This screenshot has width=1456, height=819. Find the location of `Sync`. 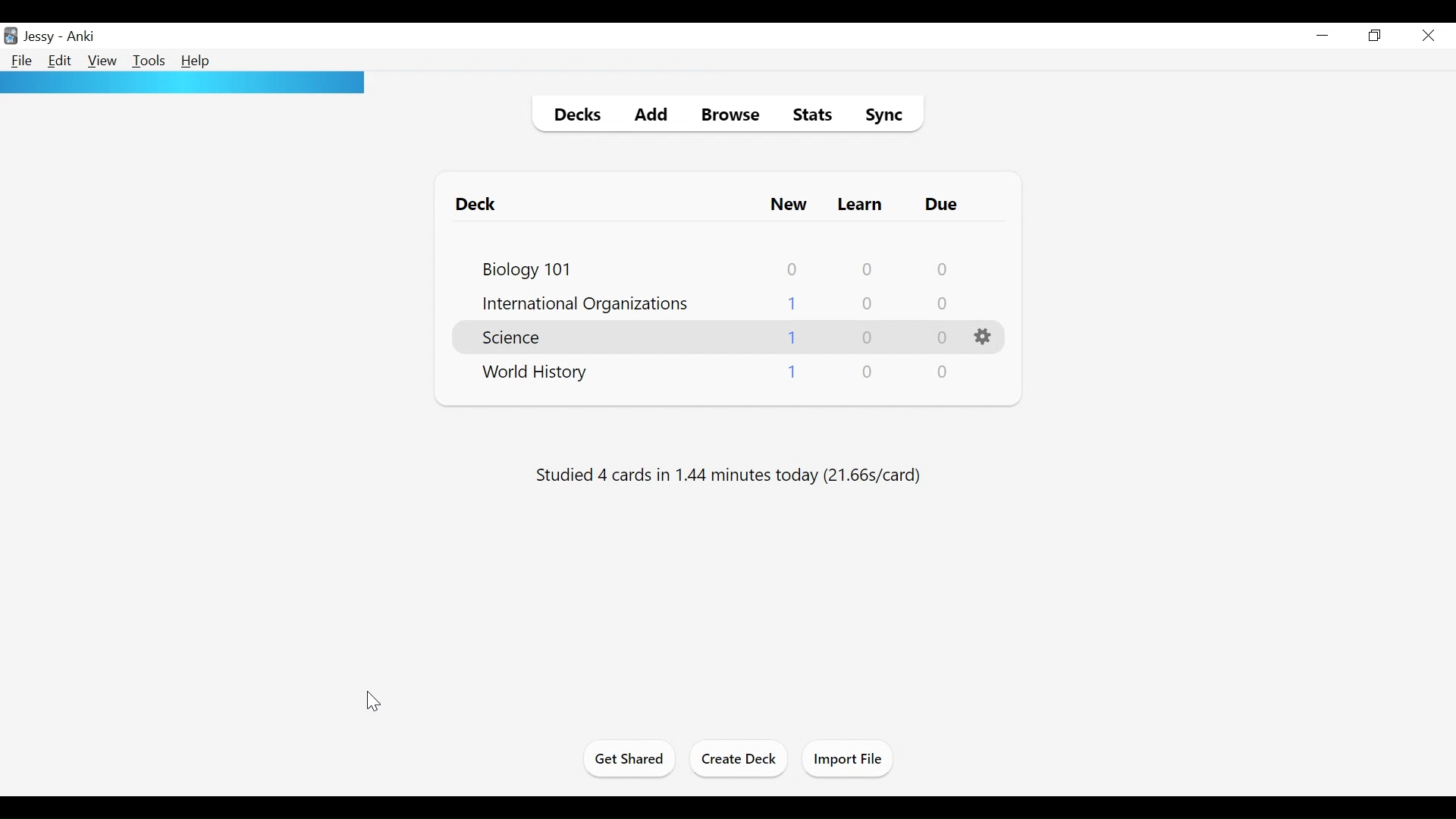

Sync is located at coordinates (889, 111).